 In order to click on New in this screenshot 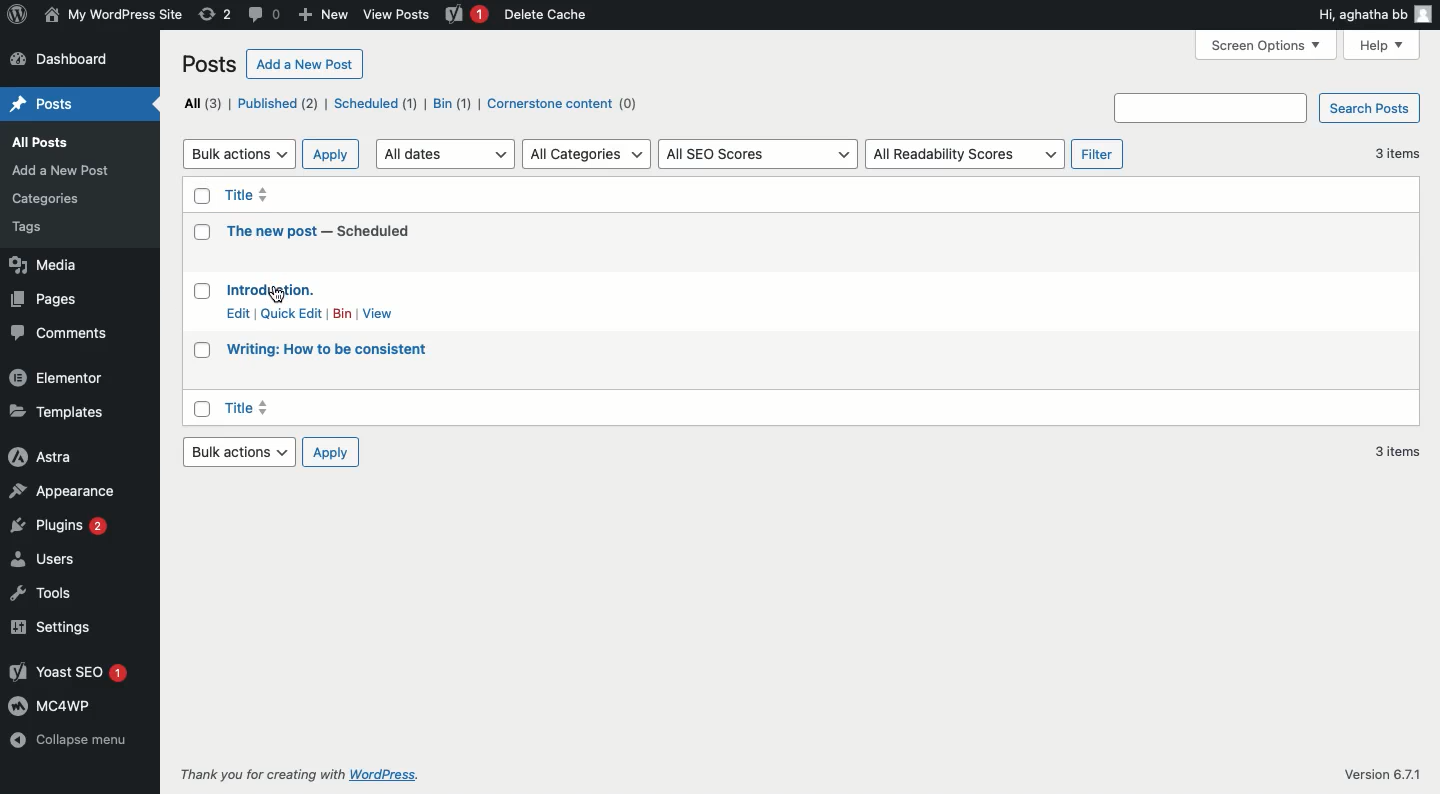, I will do `click(321, 15)`.